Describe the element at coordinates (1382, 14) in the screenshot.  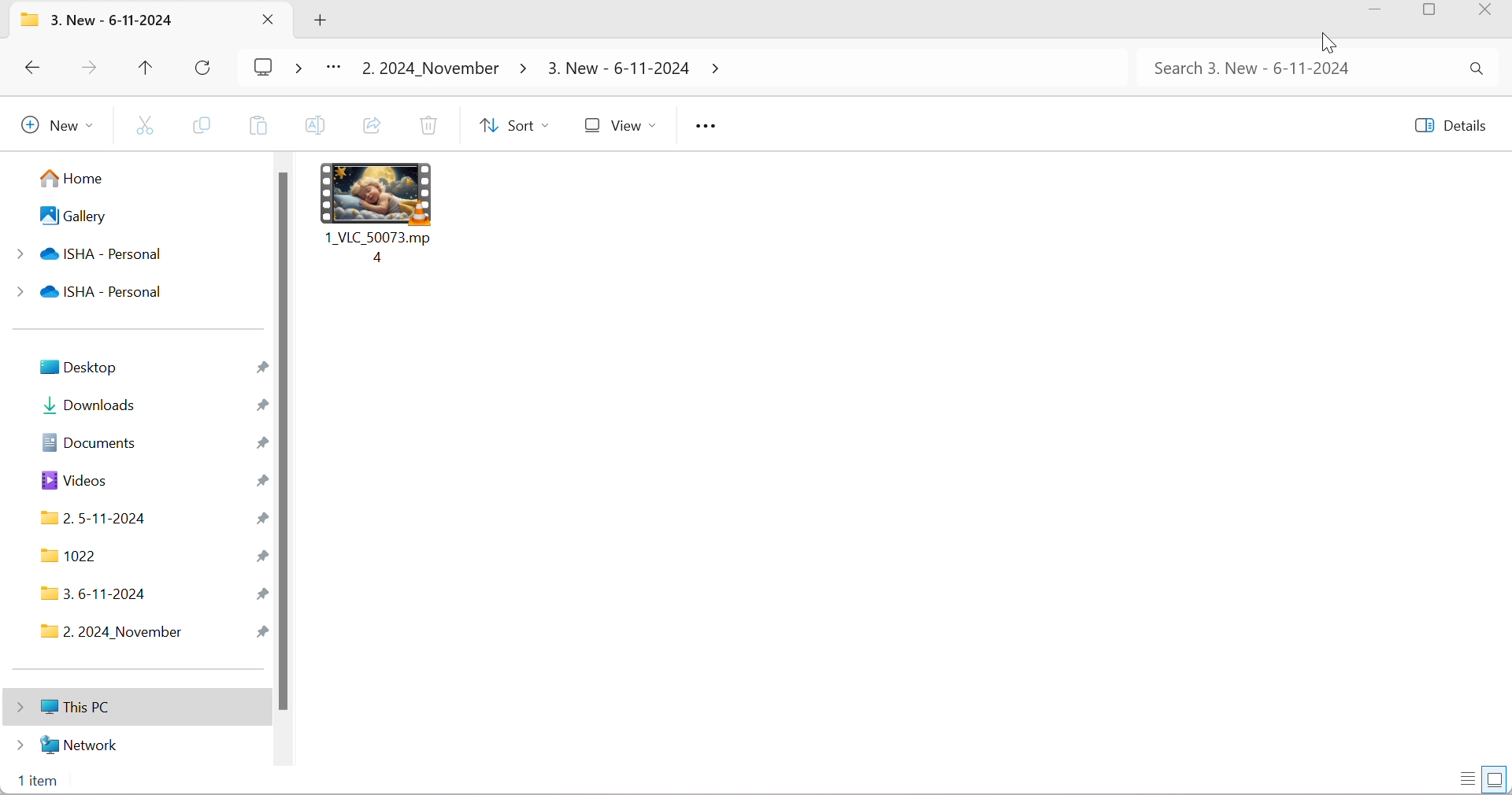
I see `Minimize` at that location.